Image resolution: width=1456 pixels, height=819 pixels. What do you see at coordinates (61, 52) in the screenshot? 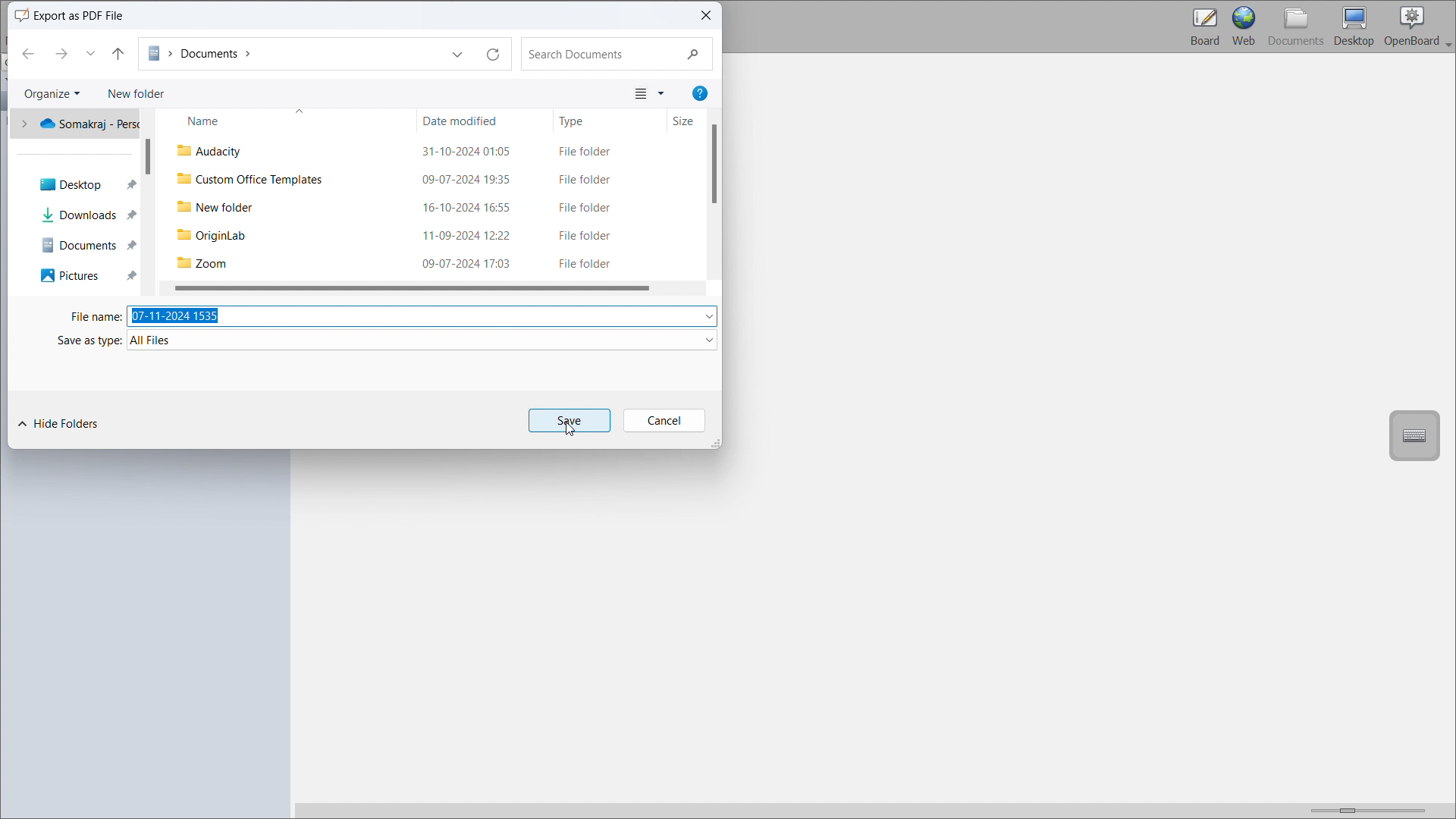
I see `next folder` at bounding box center [61, 52].